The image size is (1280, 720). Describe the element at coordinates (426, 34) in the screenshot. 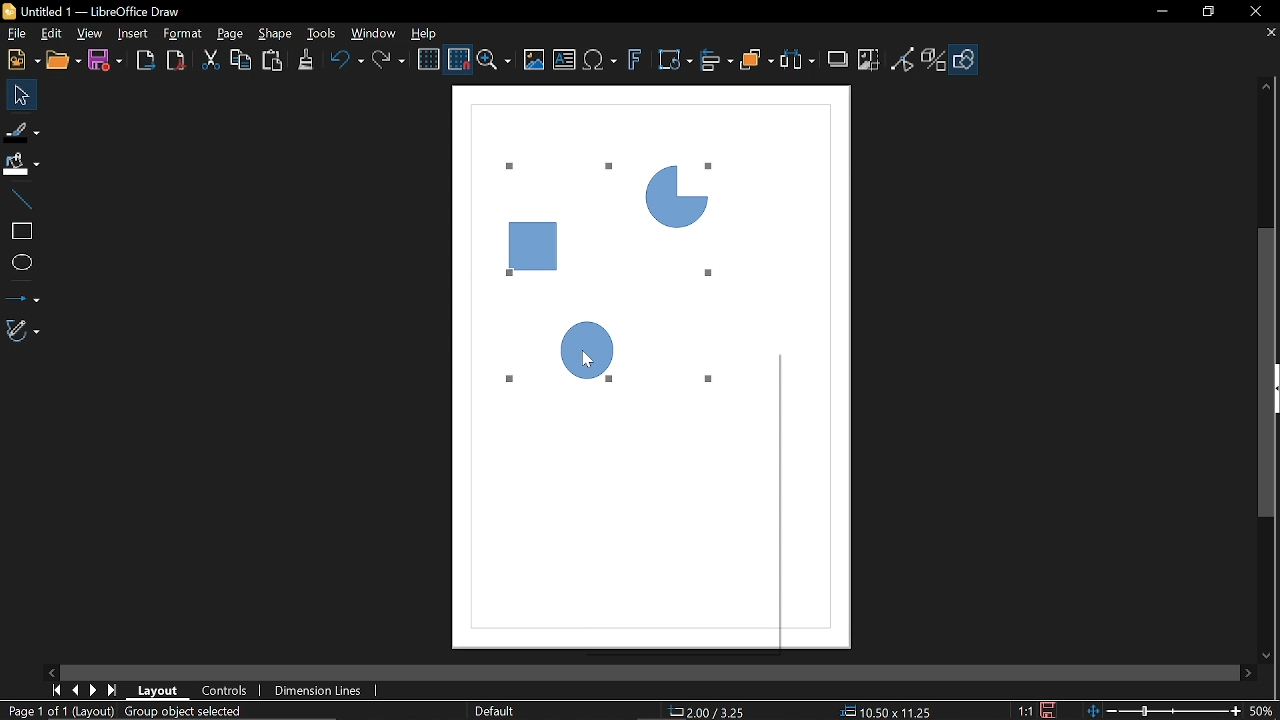

I see `Help` at that location.